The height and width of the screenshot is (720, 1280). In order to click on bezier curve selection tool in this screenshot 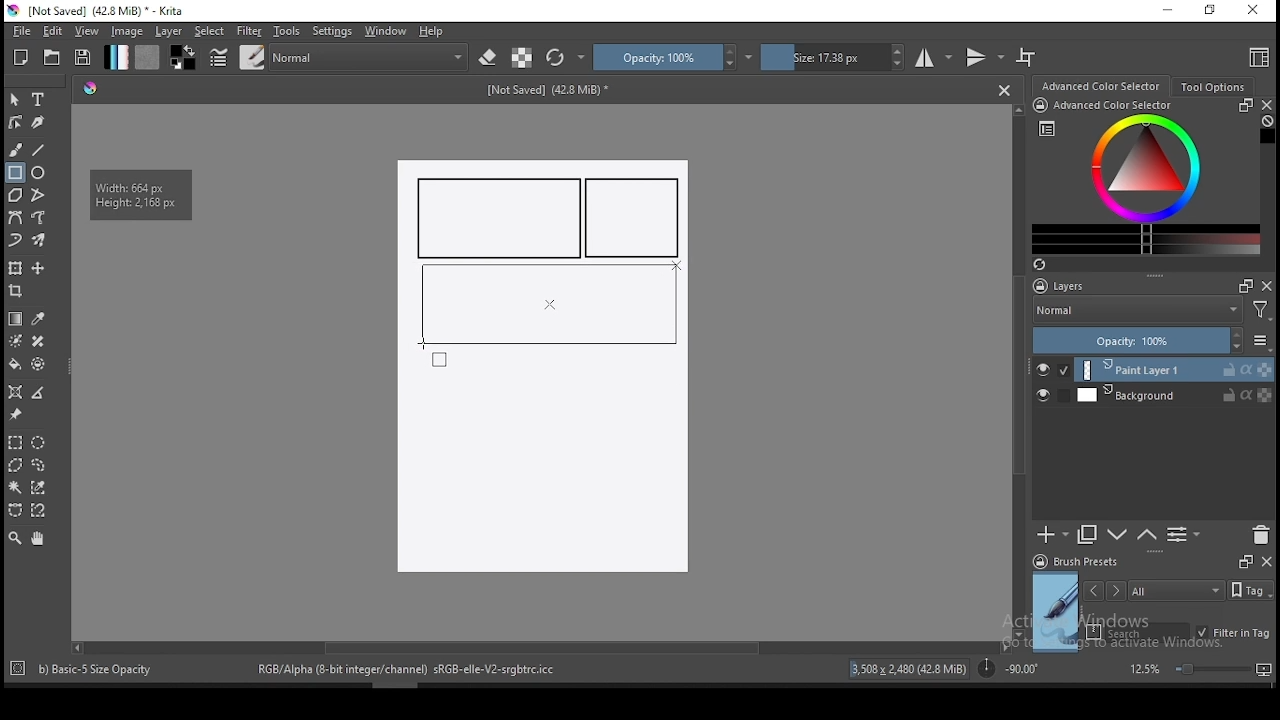, I will do `click(15, 511)`.